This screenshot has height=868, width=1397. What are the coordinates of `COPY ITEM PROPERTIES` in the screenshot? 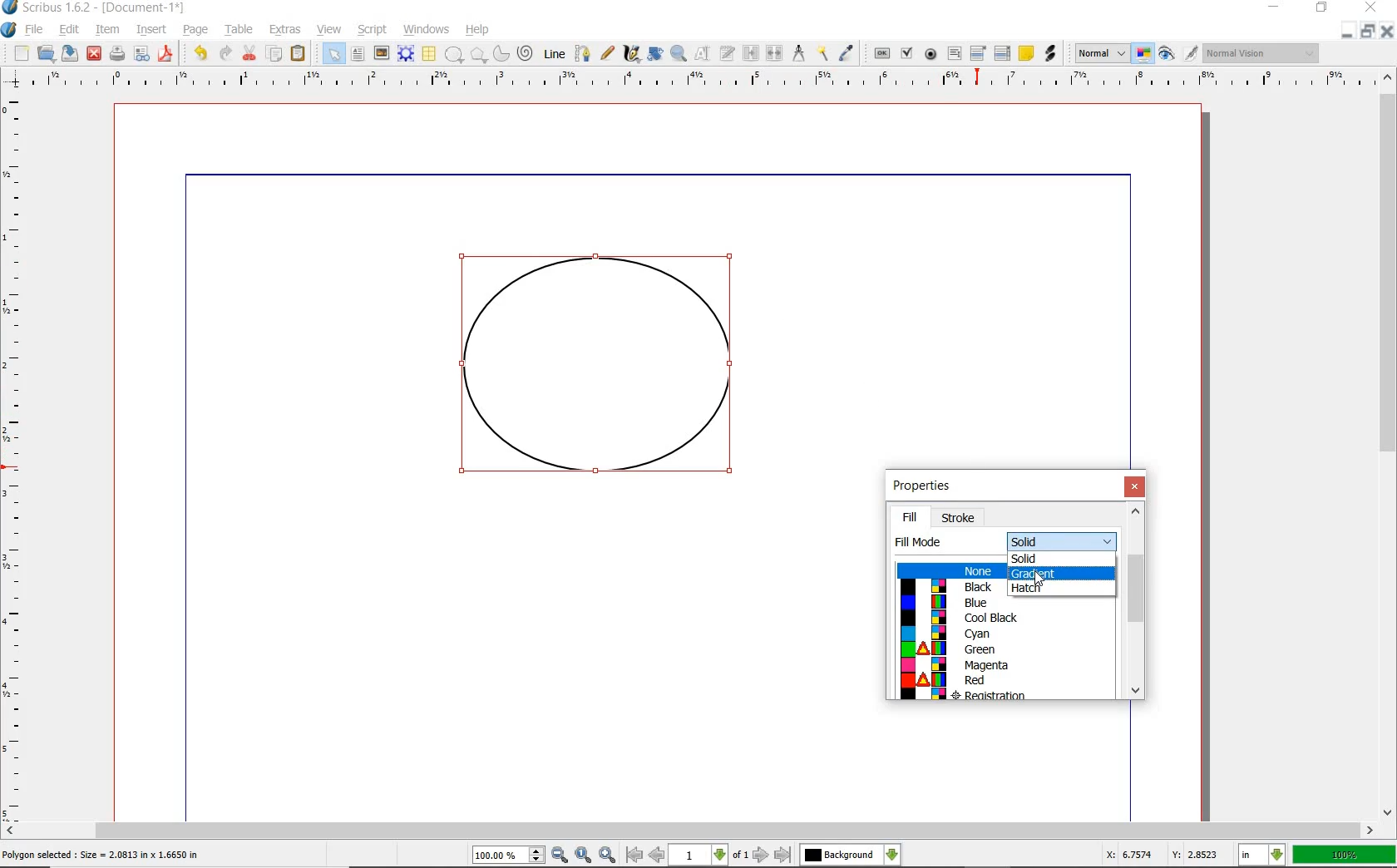 It's located at (822, 52).